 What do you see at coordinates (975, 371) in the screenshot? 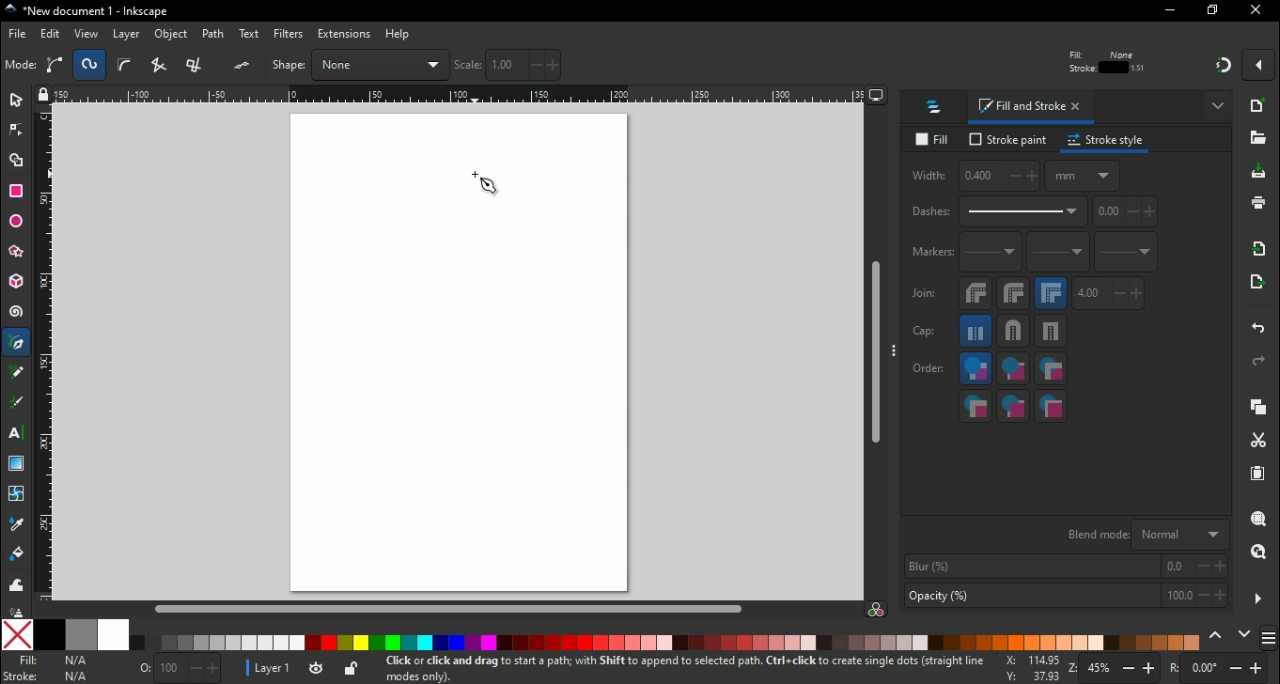
I see `fill,stroke,markers` at bounding box center [975, 371].